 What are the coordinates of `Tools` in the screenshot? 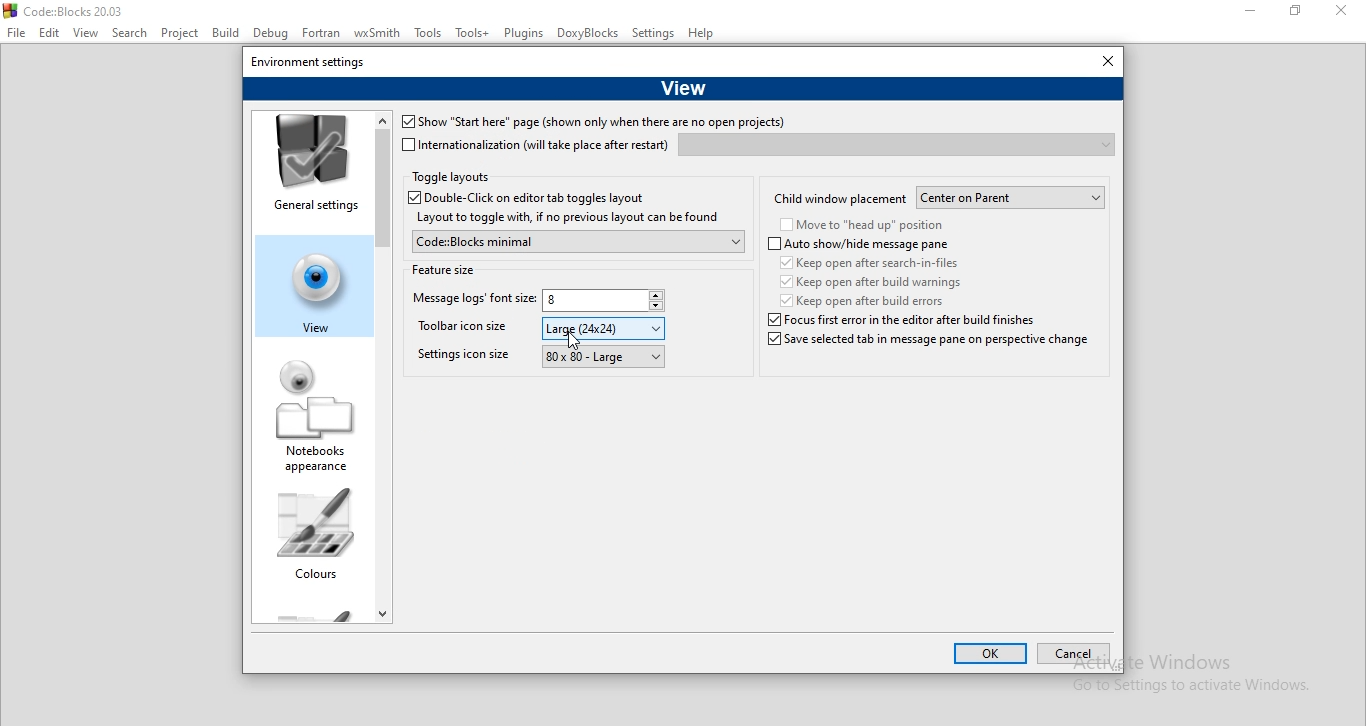 It's located at (430, 36).